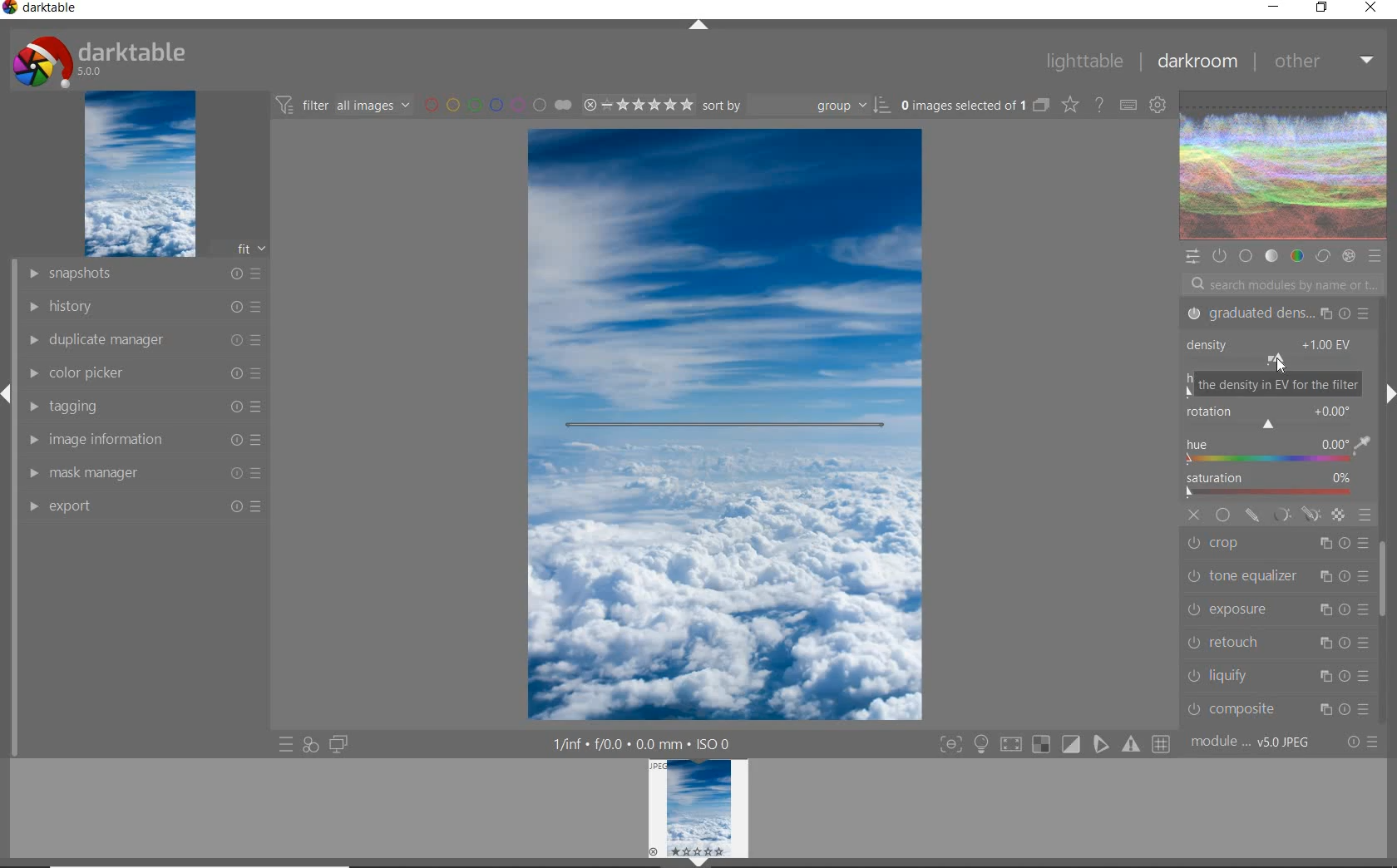 The image size is (1397, 868). I want to click on SNAPSHOTS, so click(146, 274).